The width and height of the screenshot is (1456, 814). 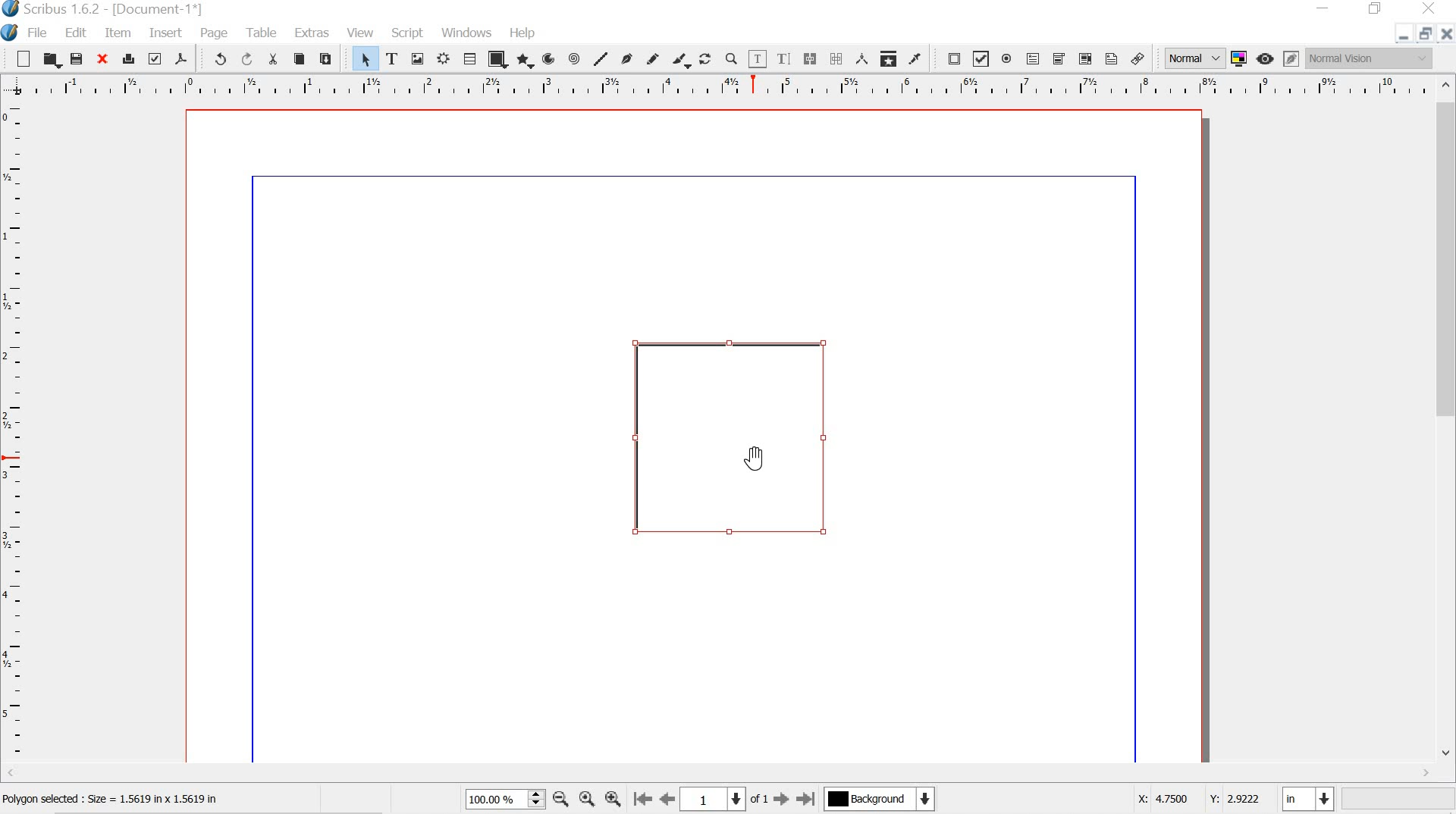 I want to click on normal vision, so click(x=1370, y=60).